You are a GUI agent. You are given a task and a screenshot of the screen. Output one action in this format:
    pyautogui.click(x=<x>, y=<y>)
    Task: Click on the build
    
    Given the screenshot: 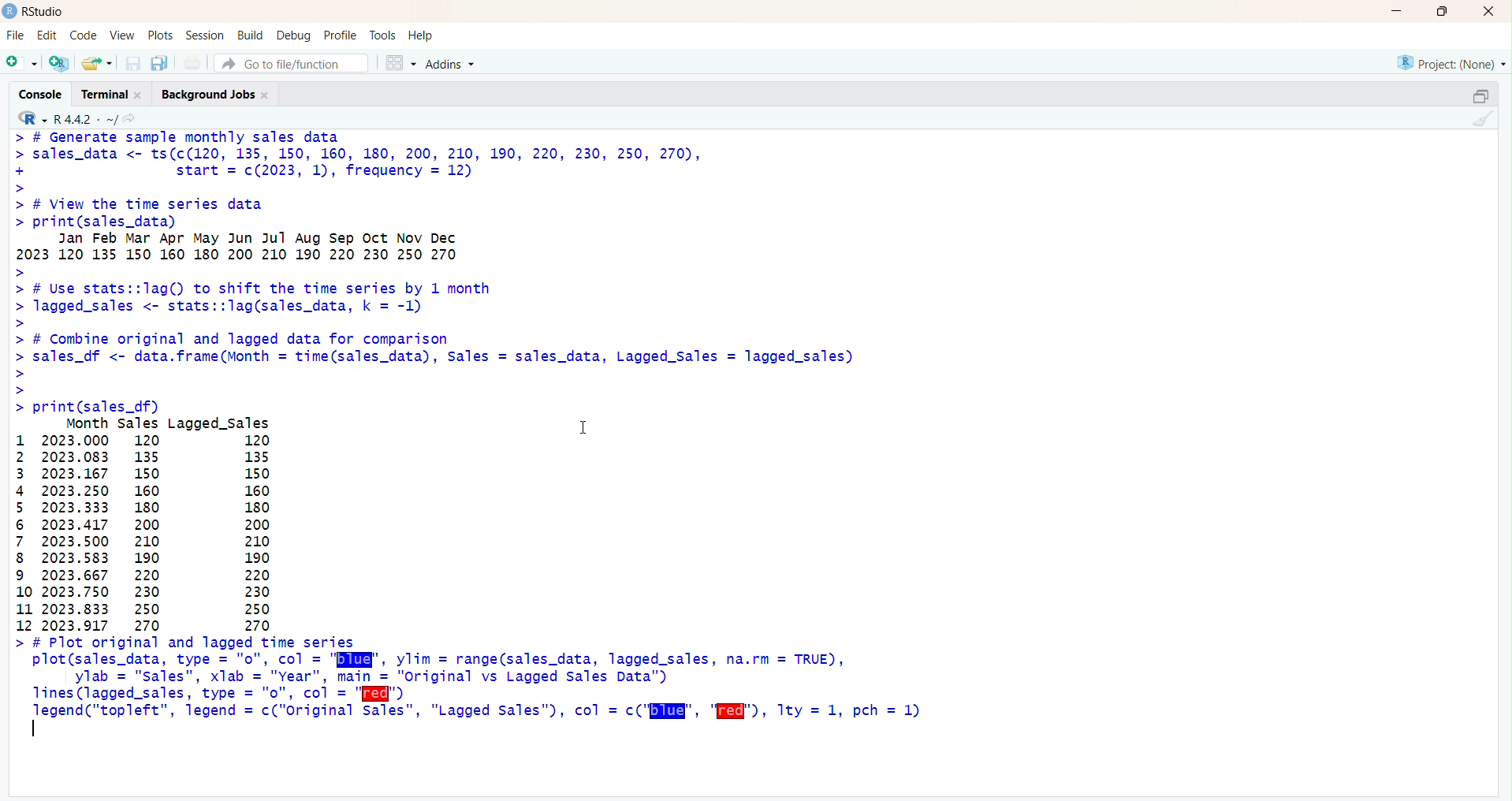 What is the action you would take?
    pyautogui.click(x=251, y=35)
    